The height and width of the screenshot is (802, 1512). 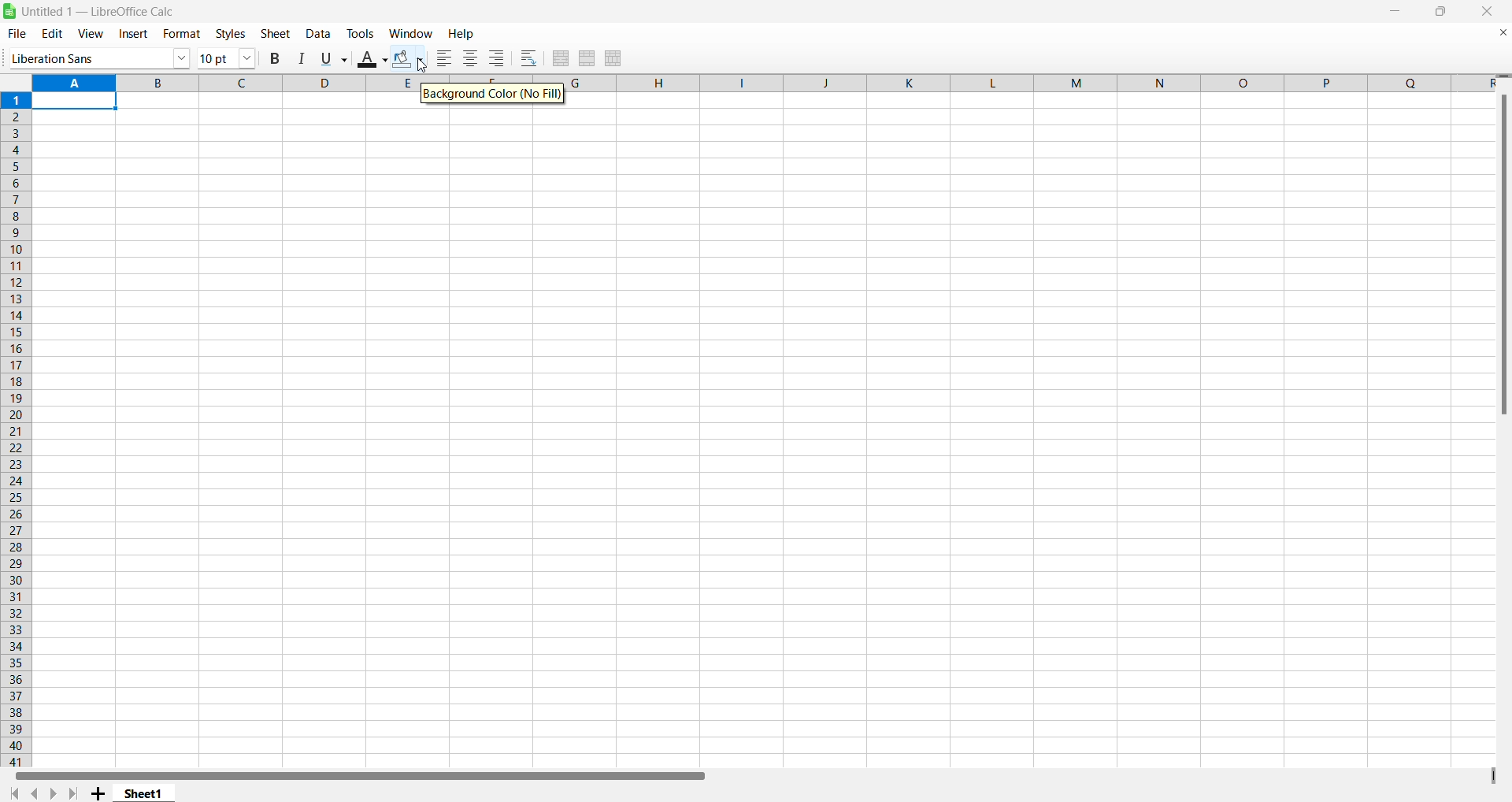 I want to click on text color, so click(x=367, y=58).